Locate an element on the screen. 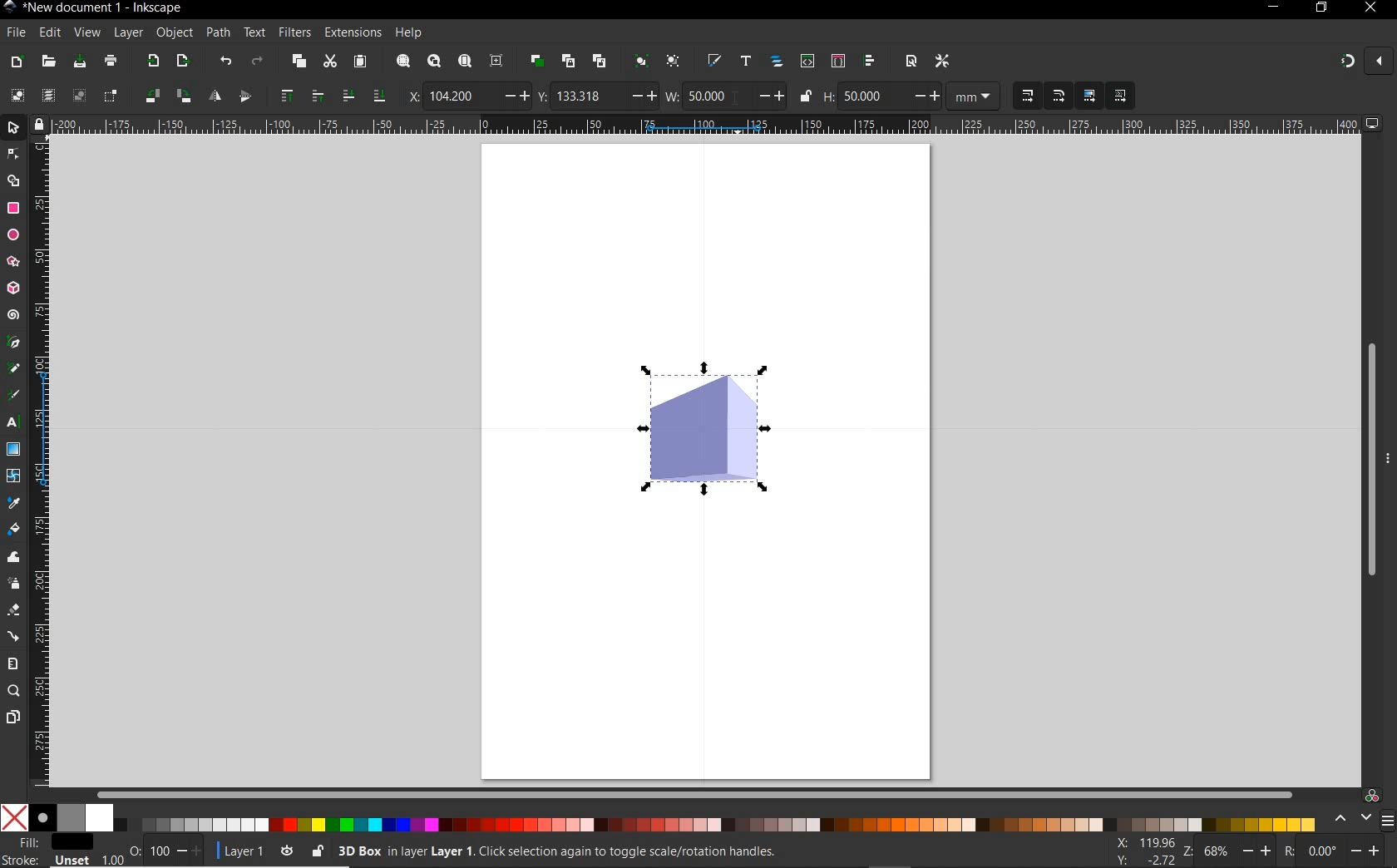  50 is located at coordinates (716, 96).